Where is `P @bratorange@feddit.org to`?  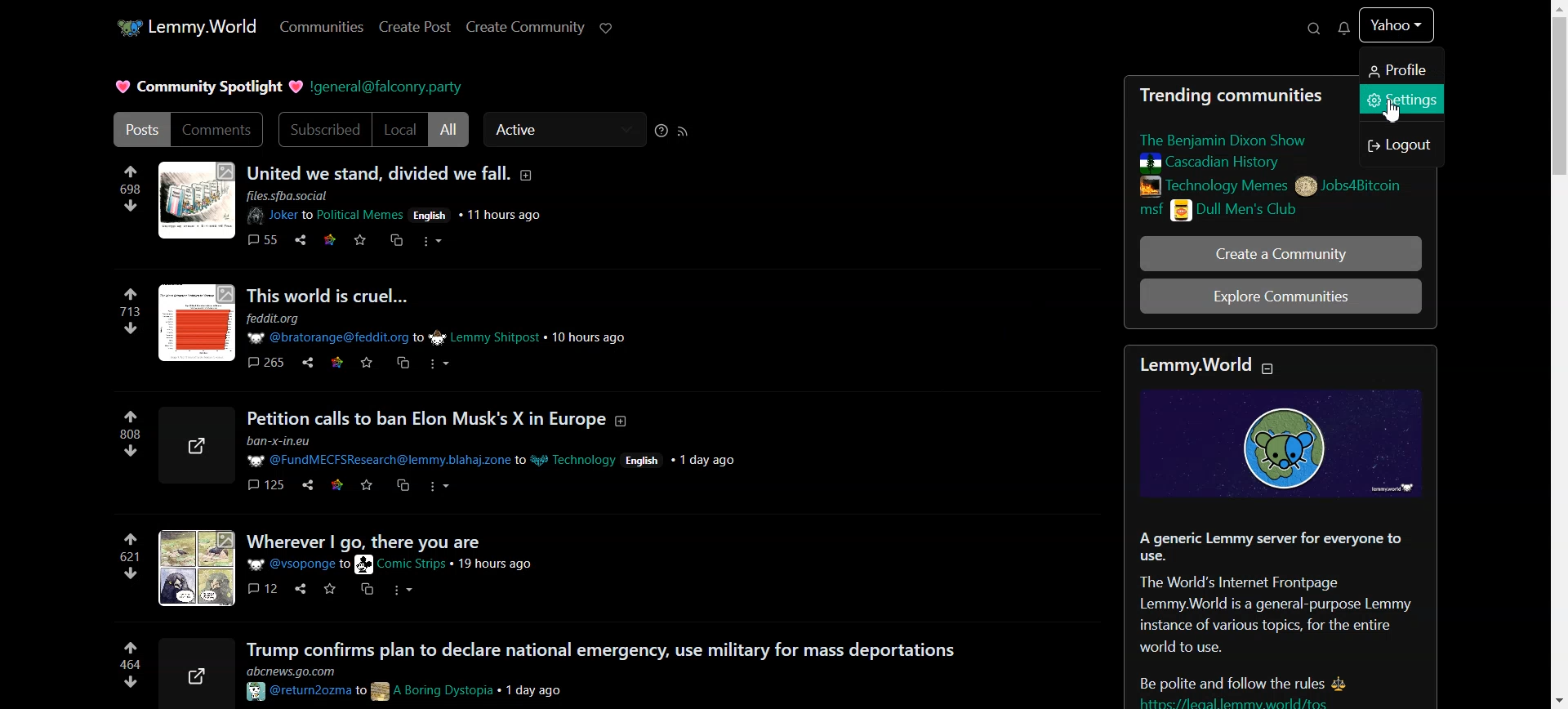
P @bratorange@feddit.org to is located at coordinates (336, 340).